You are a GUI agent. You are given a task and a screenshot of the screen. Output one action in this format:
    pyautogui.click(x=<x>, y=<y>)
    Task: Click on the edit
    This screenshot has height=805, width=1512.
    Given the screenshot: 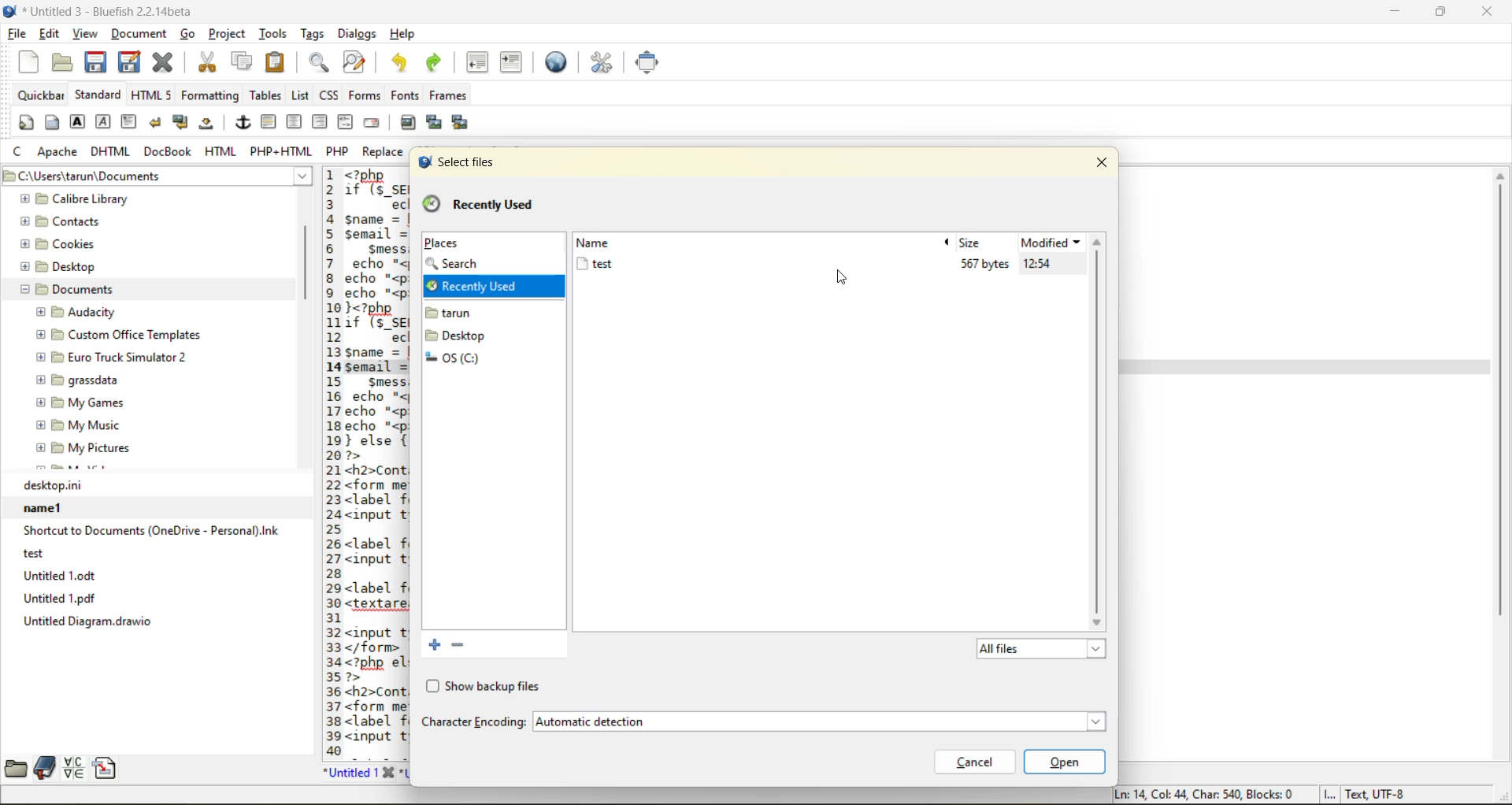 What is the action you would take?
    pyautogui.click(x=50, y=35)
    